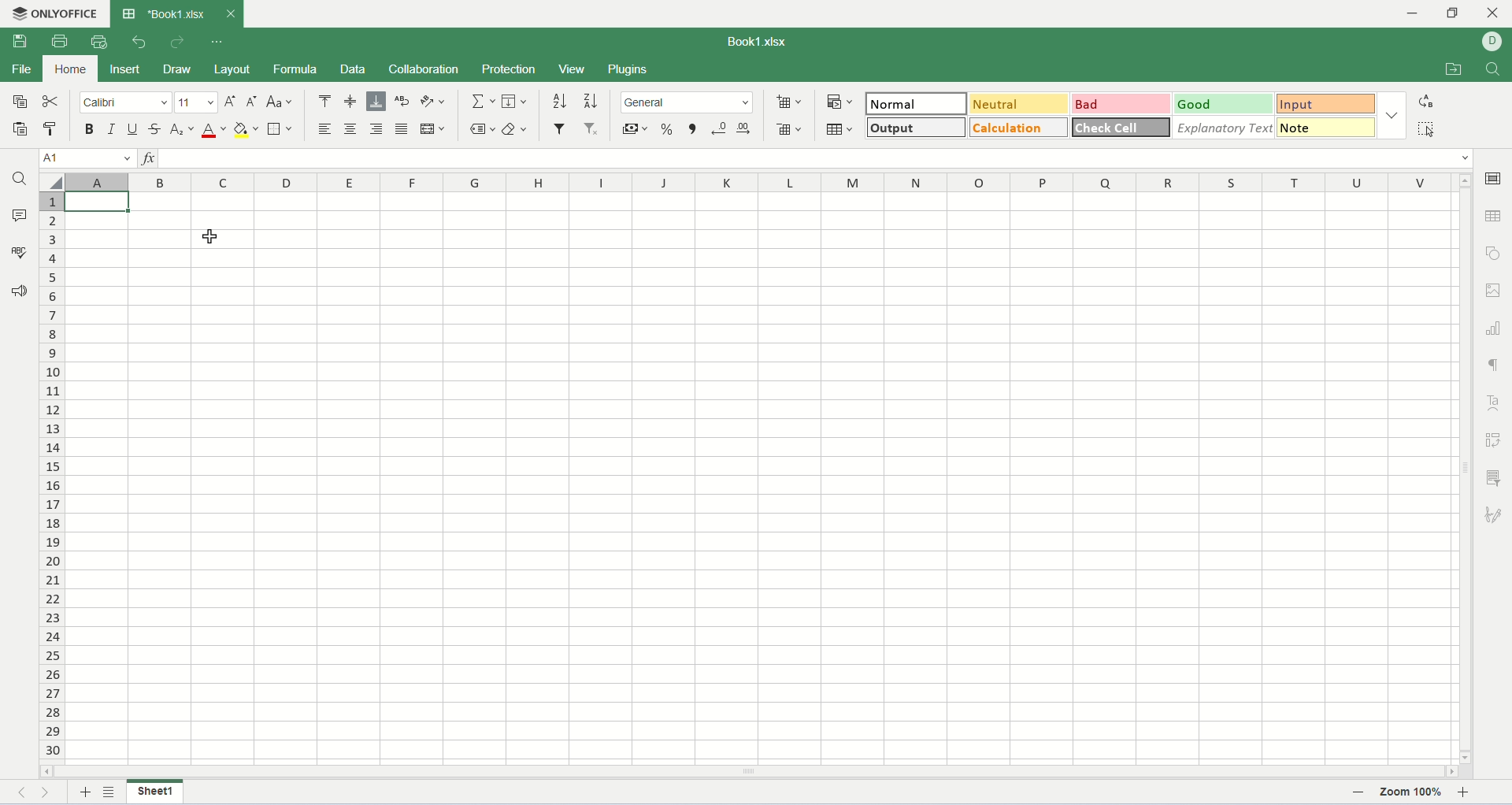 The width and height of the screenshot is (1512, 805). What do you see at coordinates (353, 100) in the screenshot?
I see `align middle` at bounding box center [353, 100].